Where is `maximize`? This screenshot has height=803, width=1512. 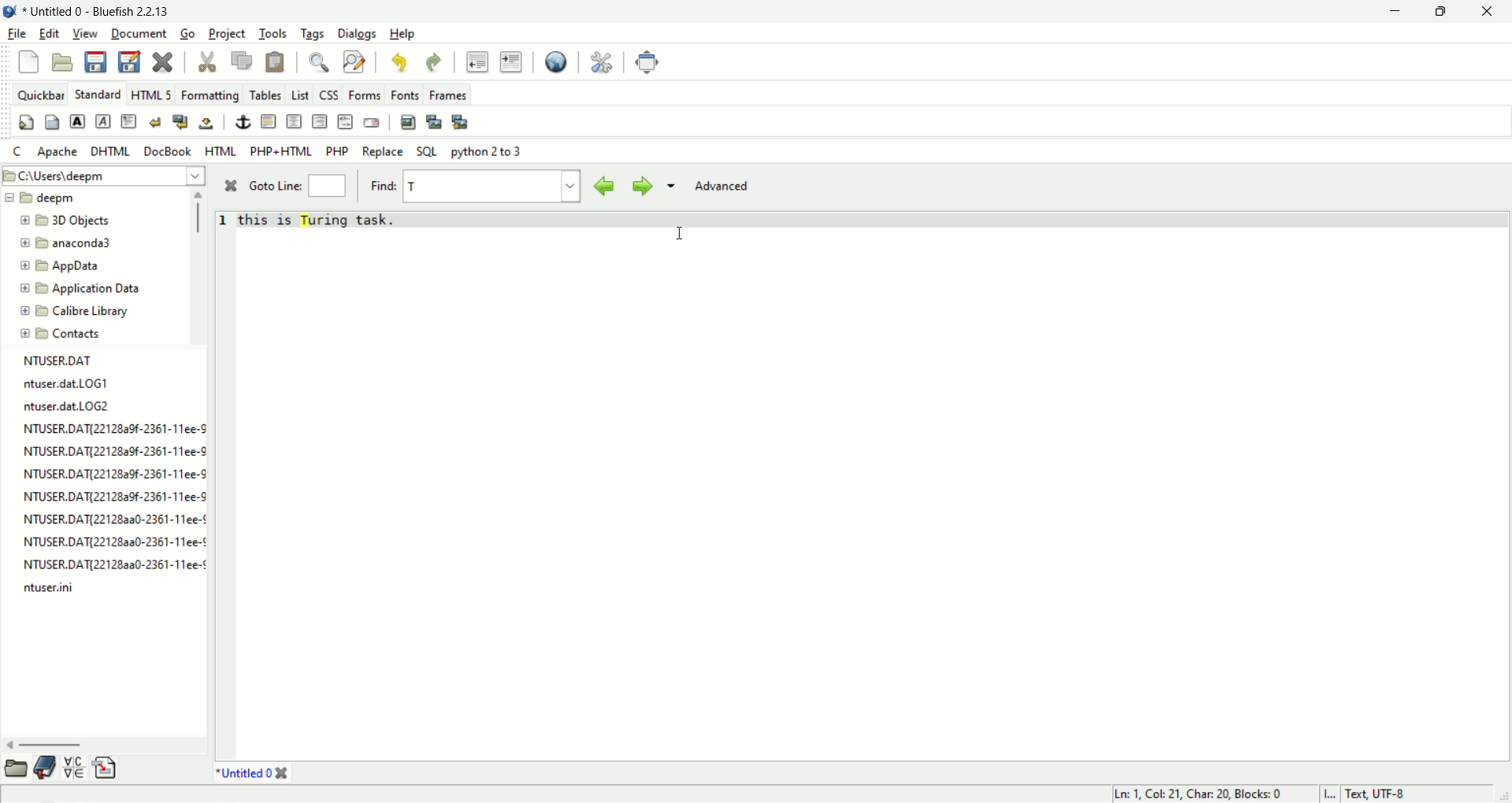 maximize is located at coordinates (1444, 13).